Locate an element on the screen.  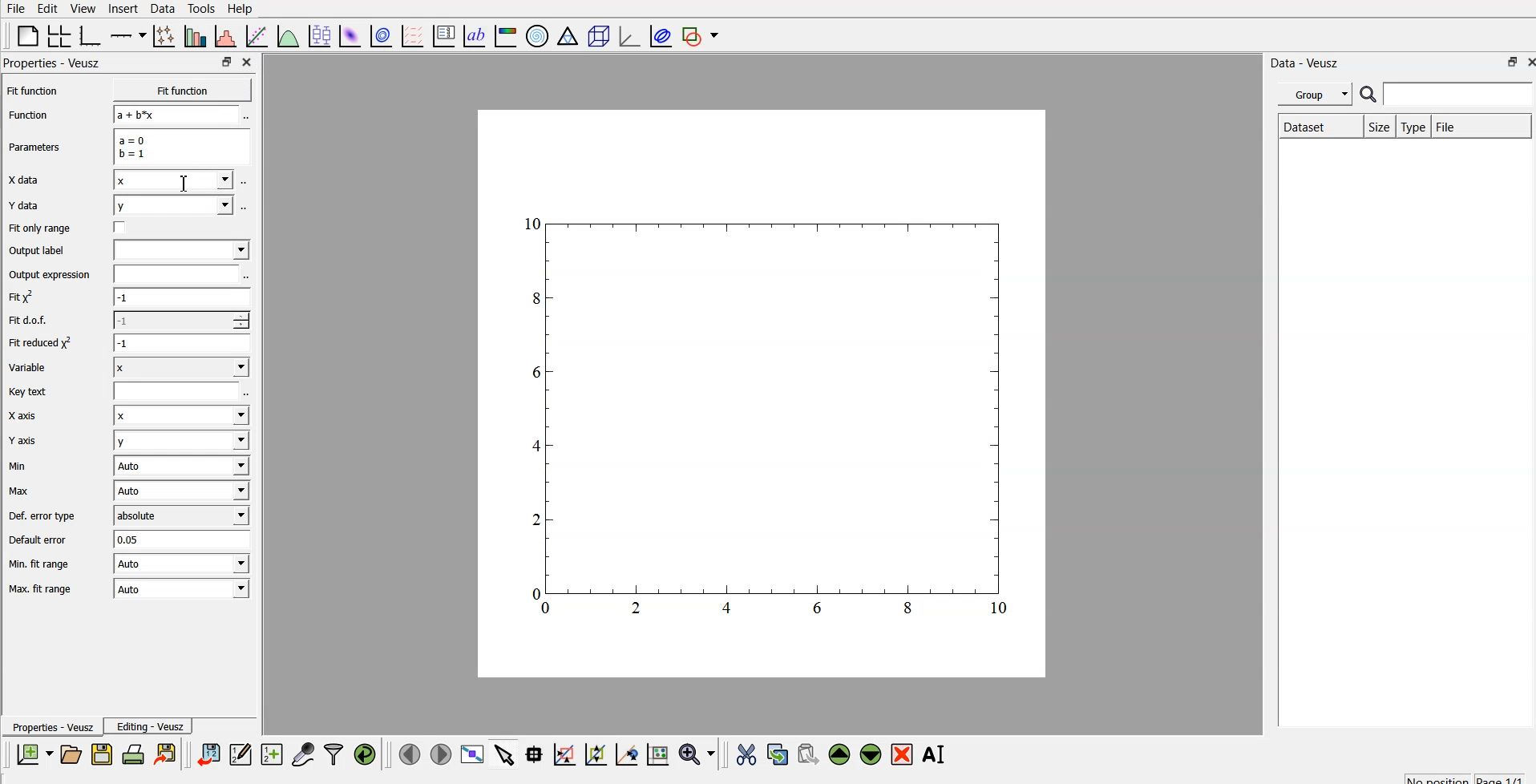
entry text is located at coordinates (182, 394).